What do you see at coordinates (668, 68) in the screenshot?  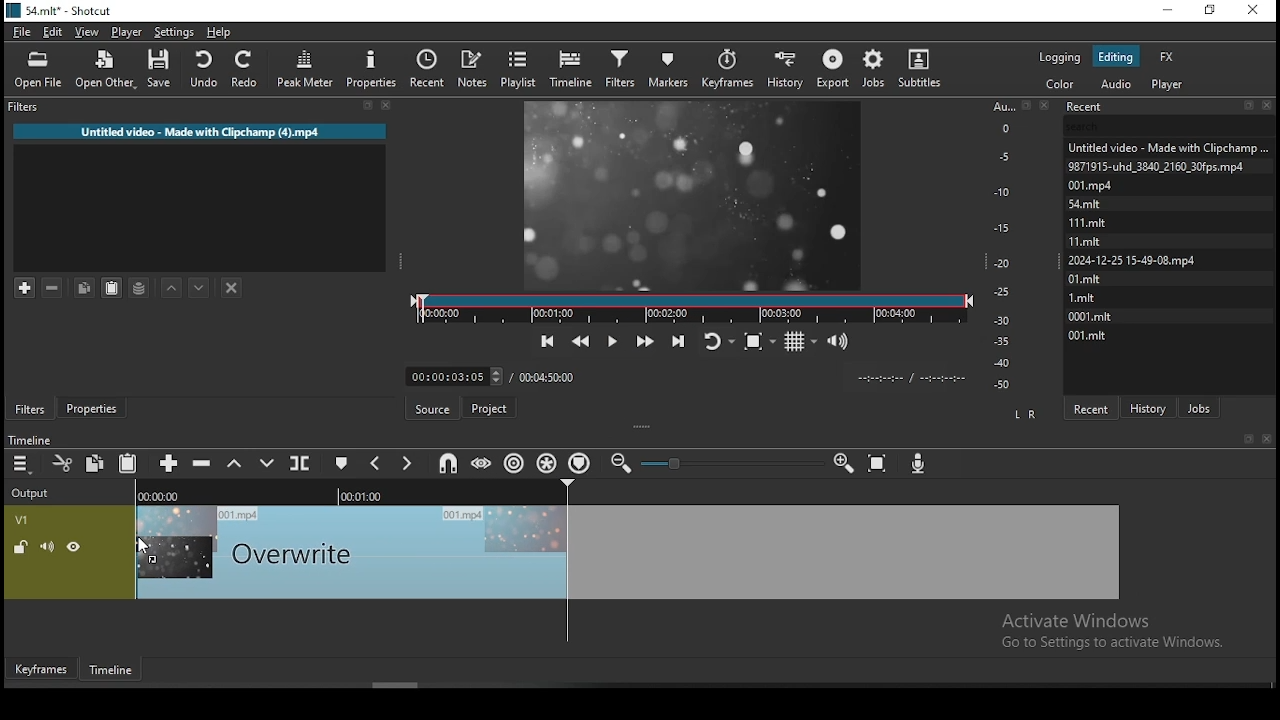 I see `markers` at bounding box center [668, 68].